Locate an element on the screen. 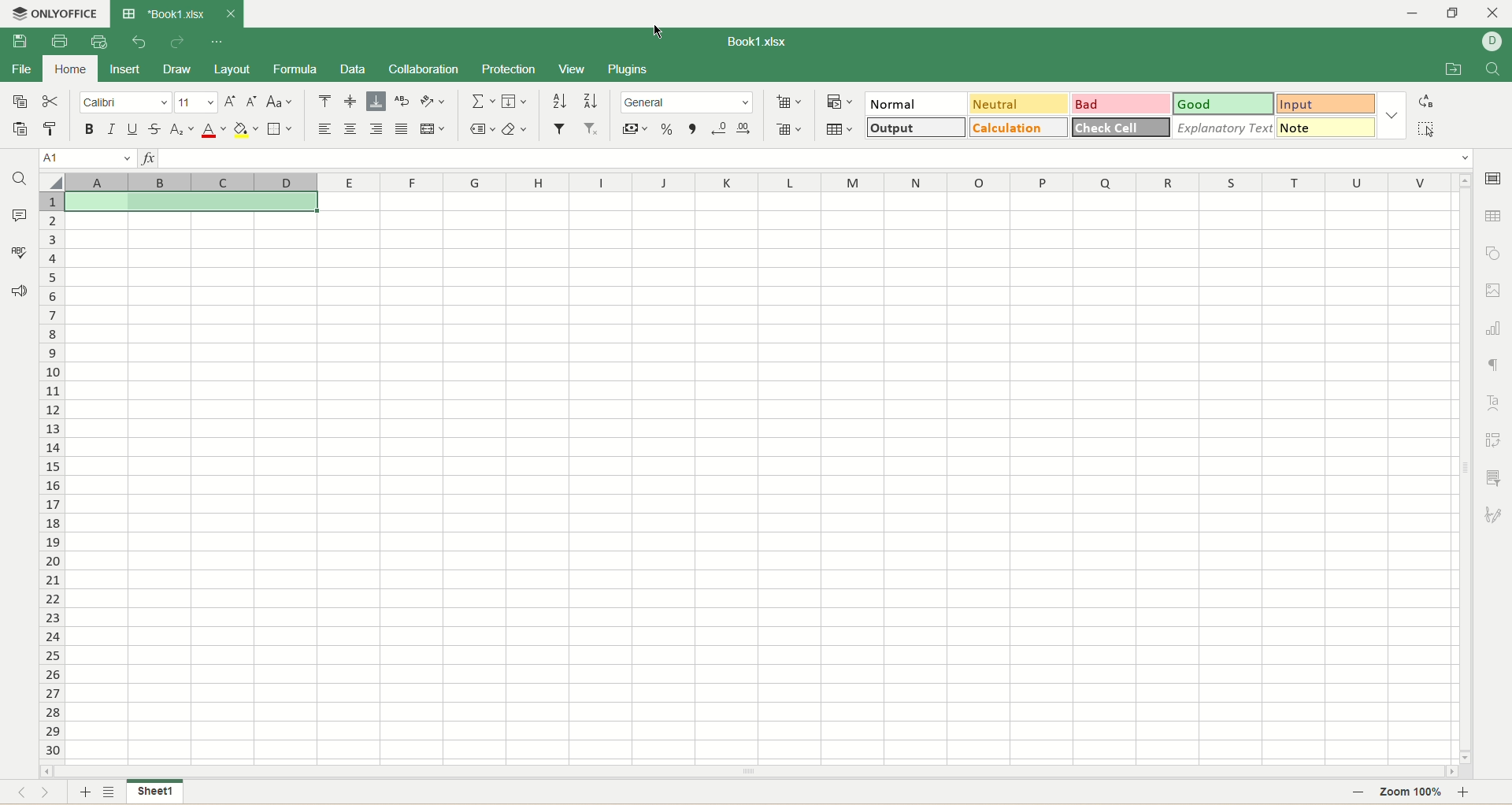 The height and width of the screenshot is (805, 1512). save is located at coordinates (15, 41).